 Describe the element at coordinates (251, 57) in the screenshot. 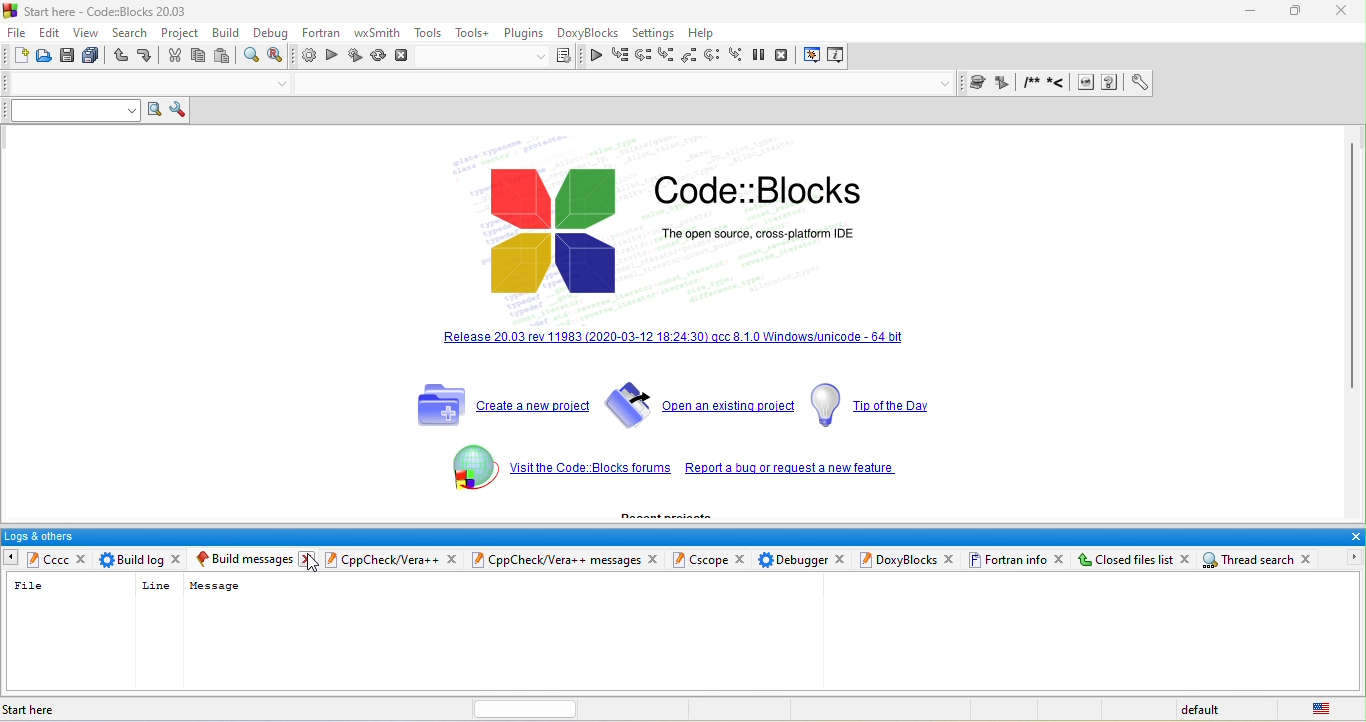

I see `find` at that location.